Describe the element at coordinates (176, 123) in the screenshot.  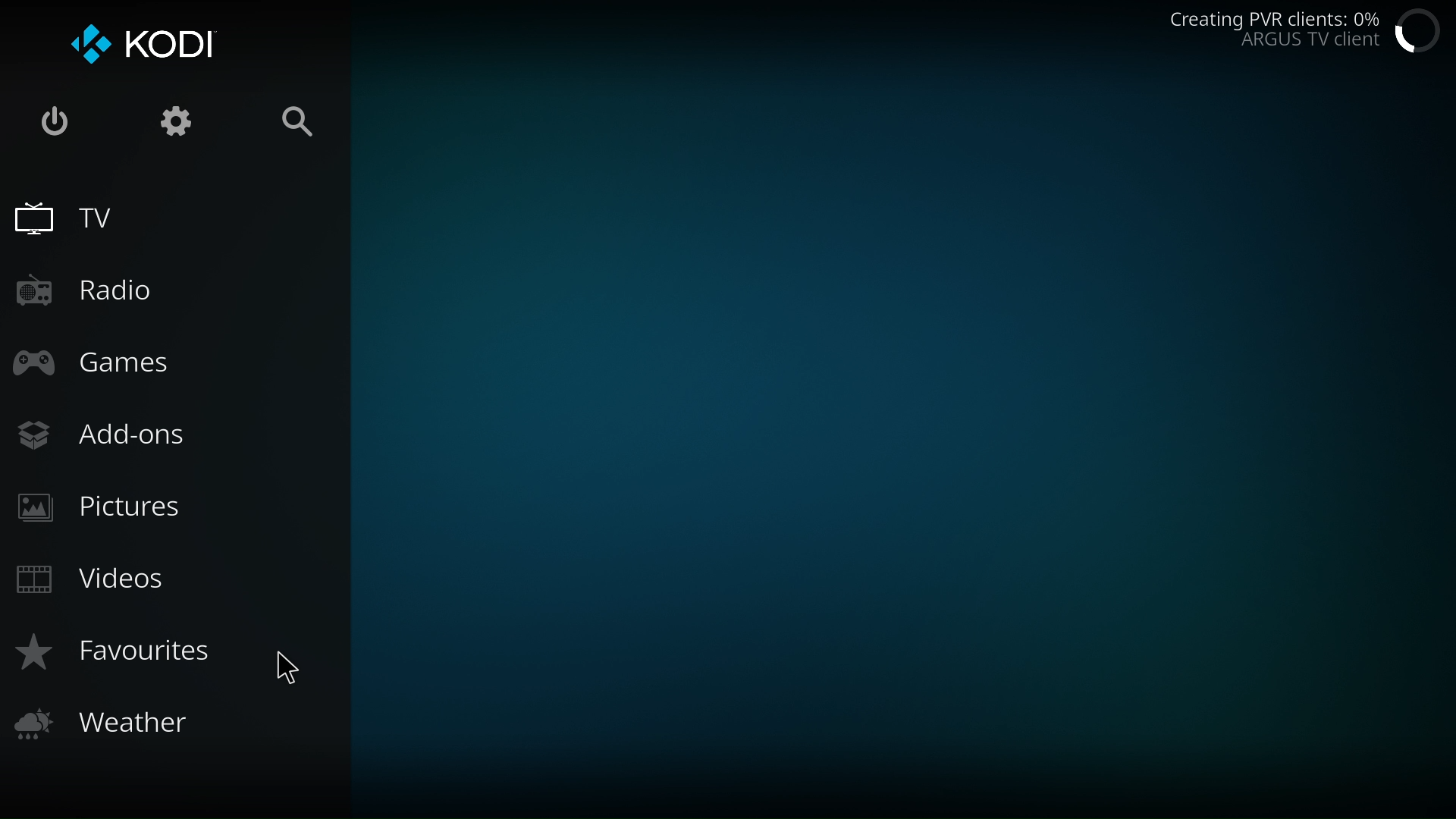
I see `setting` at that location.